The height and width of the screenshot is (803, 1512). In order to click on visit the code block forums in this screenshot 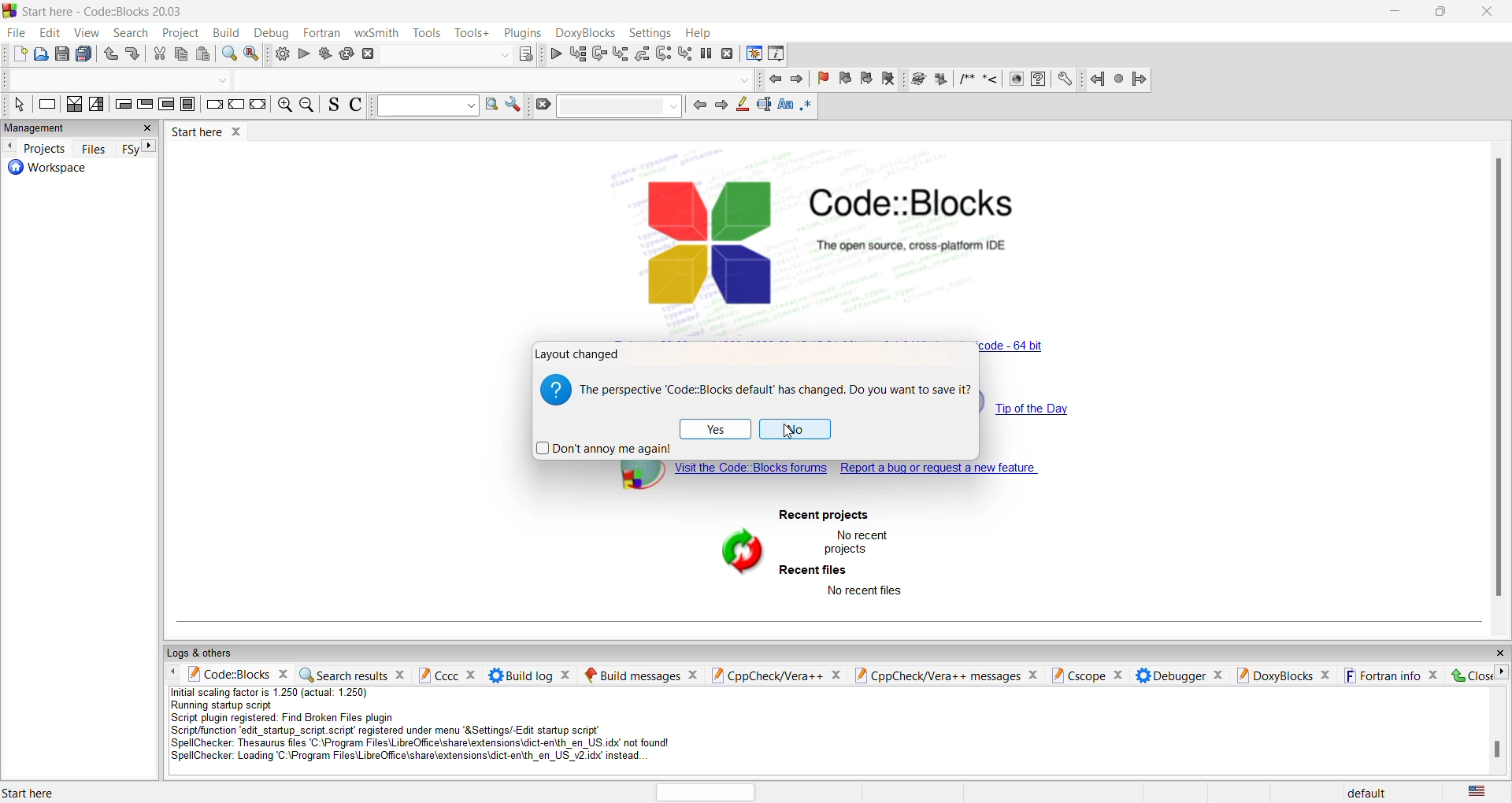, I will do `click(713, 478)`.